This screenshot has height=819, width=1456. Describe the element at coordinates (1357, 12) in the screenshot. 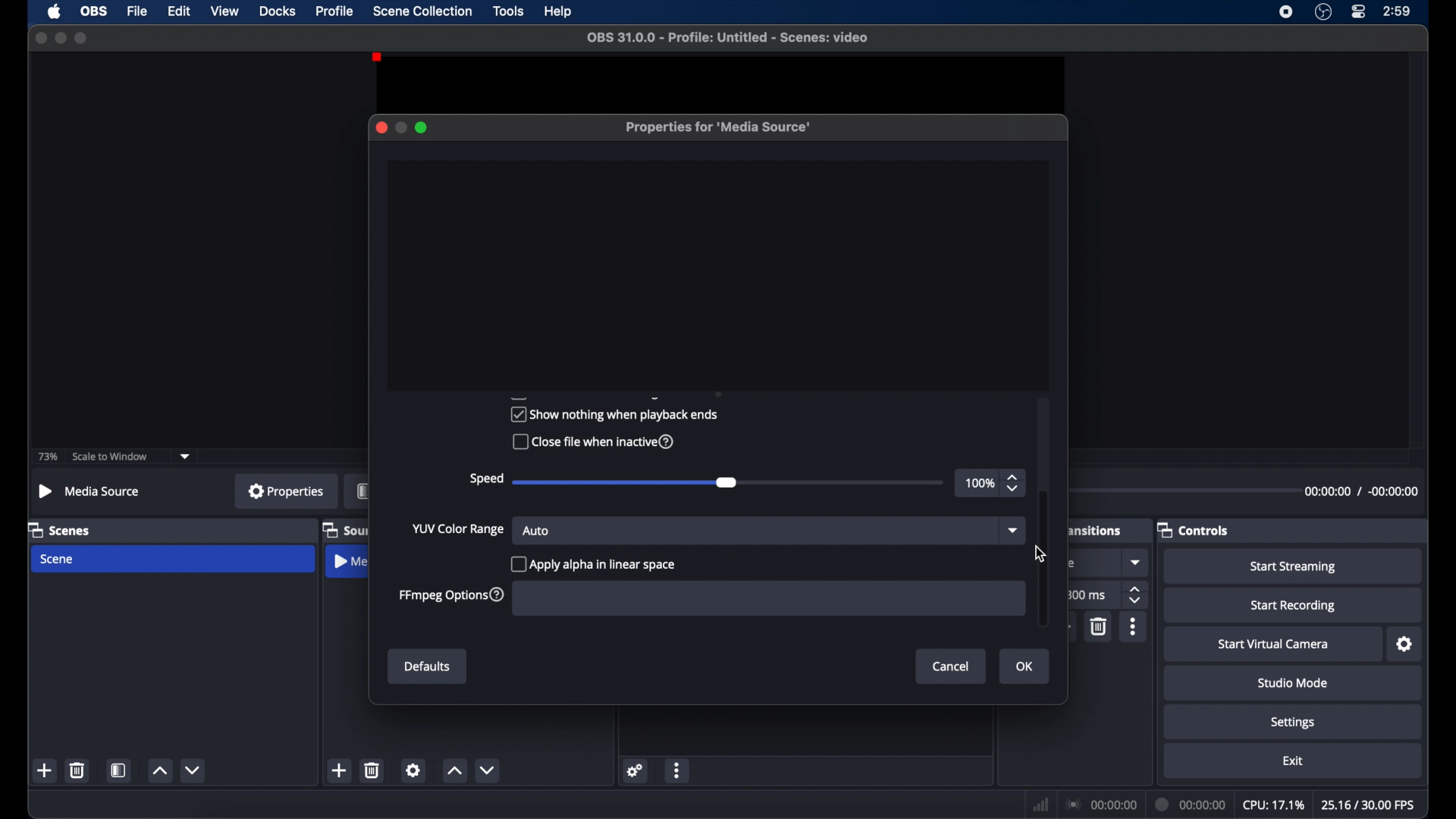

I see `control center` at that location.